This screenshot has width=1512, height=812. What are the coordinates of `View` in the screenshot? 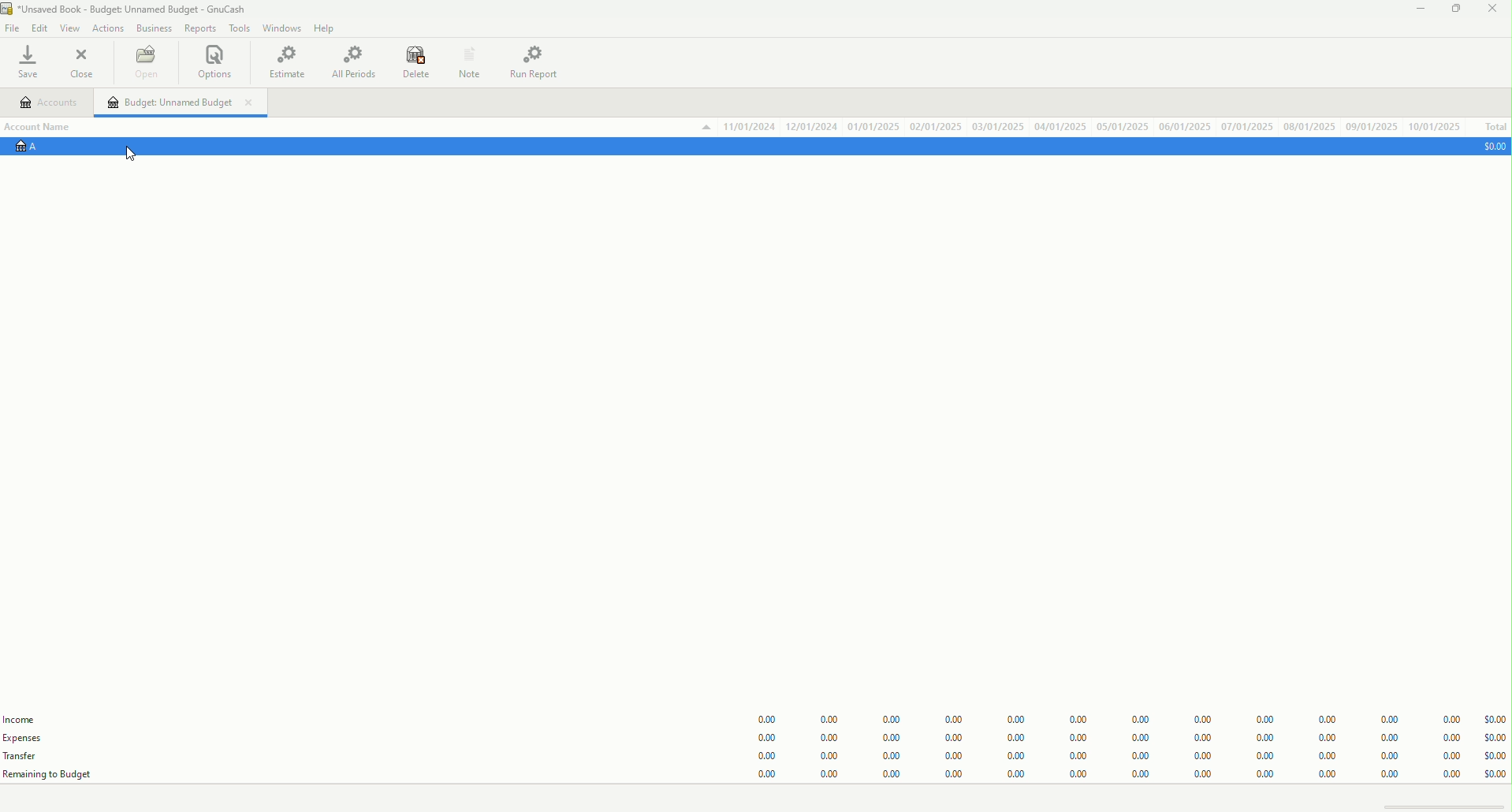 It's located at (72, 29).